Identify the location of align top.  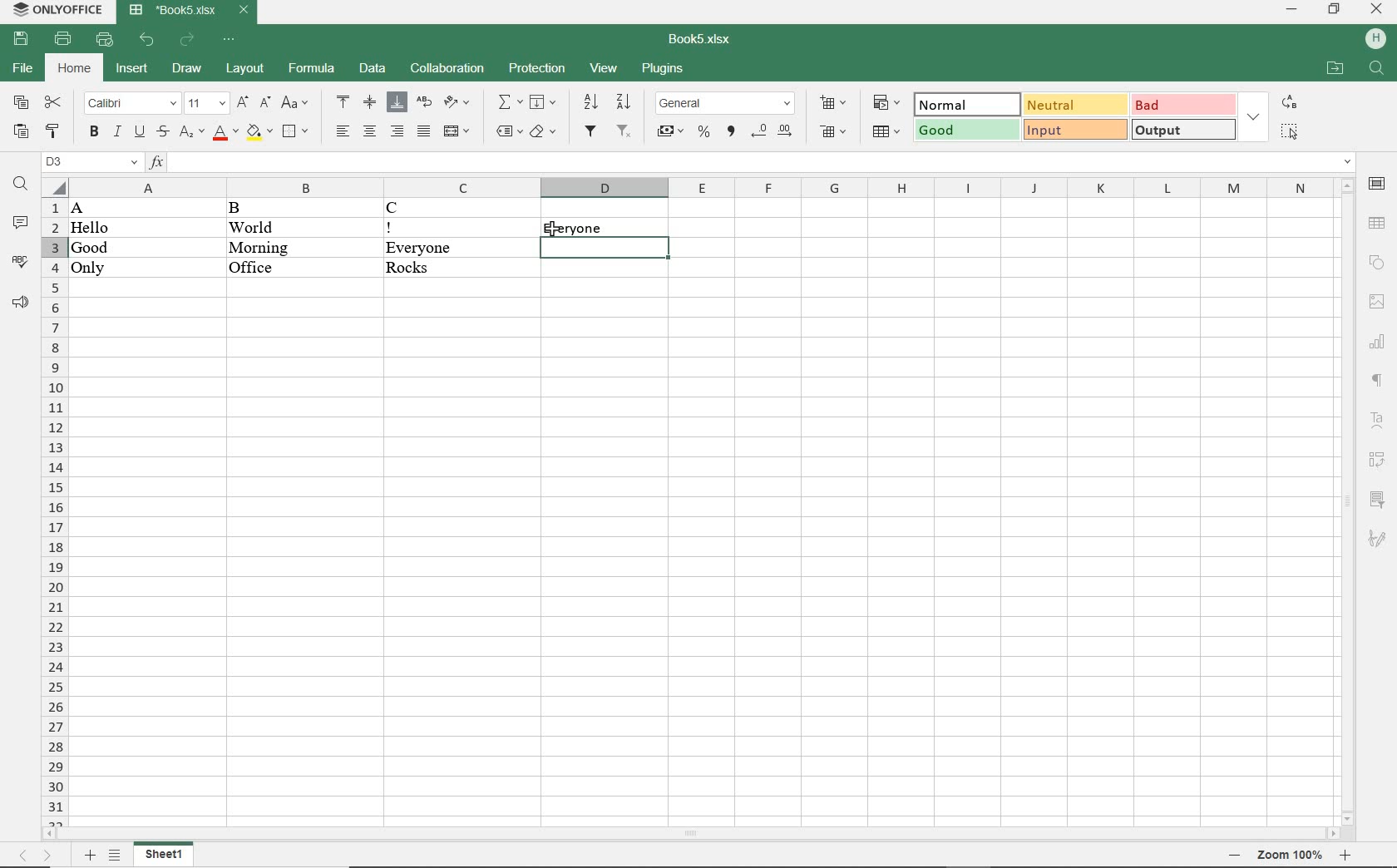
(344, 103).